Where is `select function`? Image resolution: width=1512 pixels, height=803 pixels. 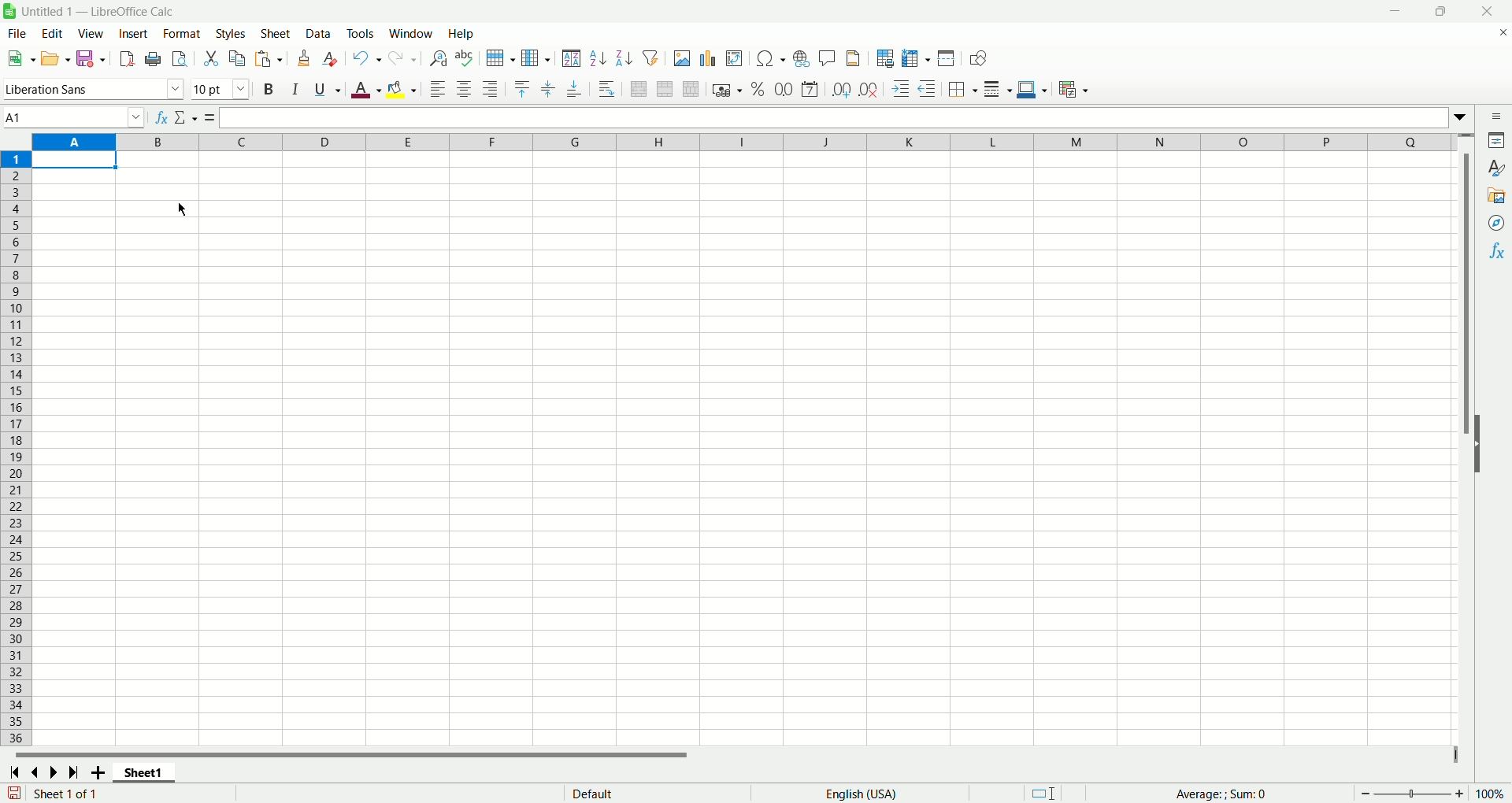
select function is located at coordinates (183, 117).